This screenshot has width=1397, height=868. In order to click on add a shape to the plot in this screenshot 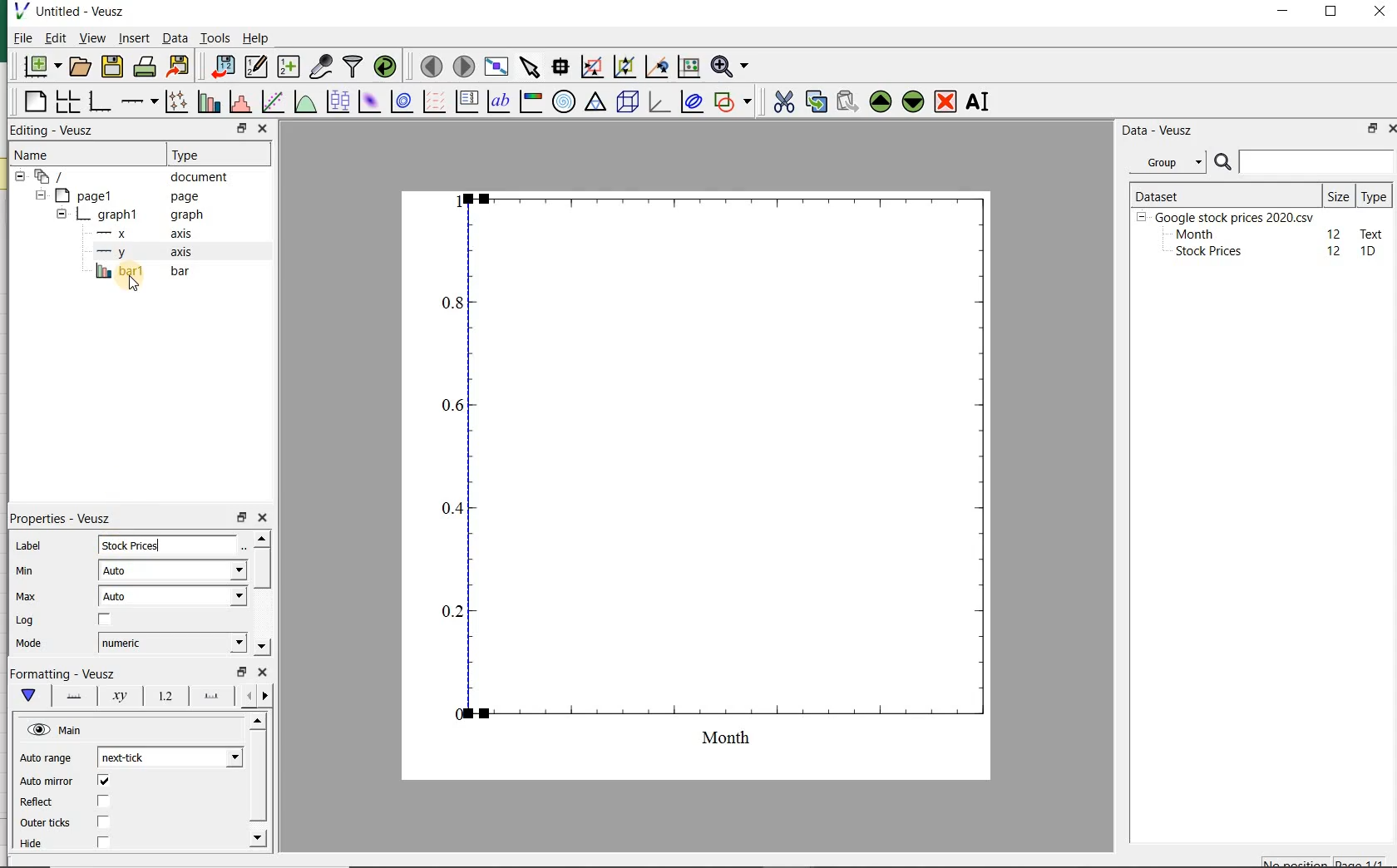, I will do `click(733, 102)`.